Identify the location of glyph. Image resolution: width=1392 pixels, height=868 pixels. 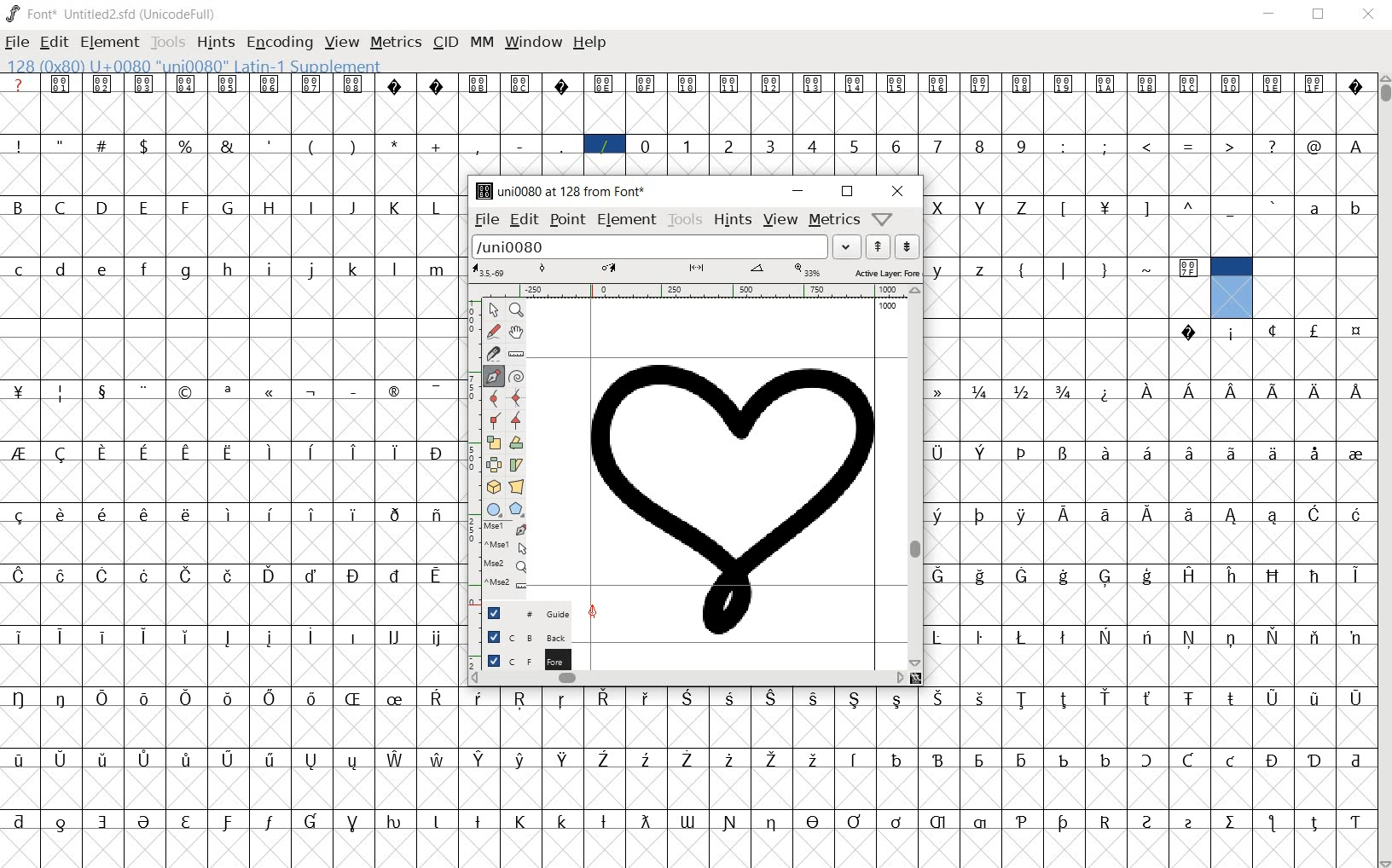
(604, 697).